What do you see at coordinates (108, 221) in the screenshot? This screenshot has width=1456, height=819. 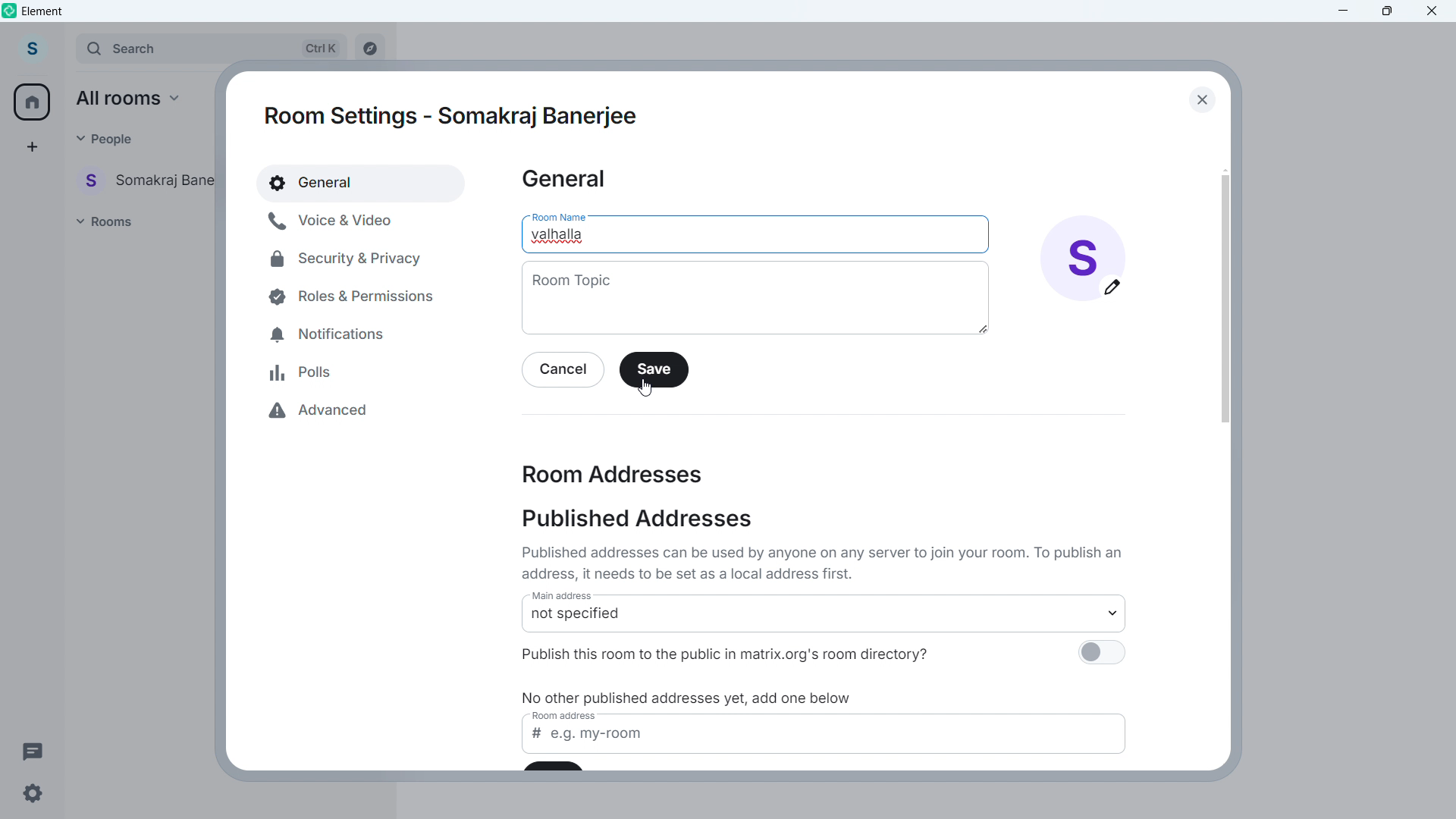 I see `Rooms ` at bounding box center [108, 221].